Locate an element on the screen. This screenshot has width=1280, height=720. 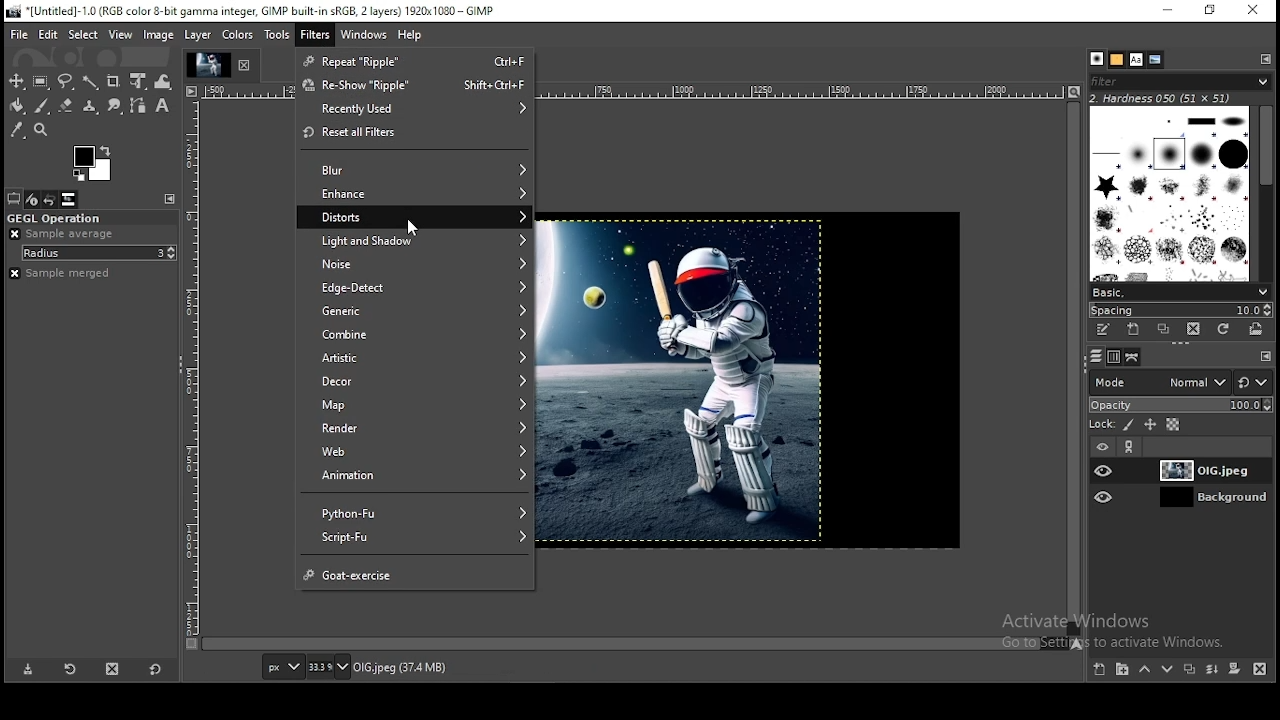
Task Display is located at coordinates (211, 66).